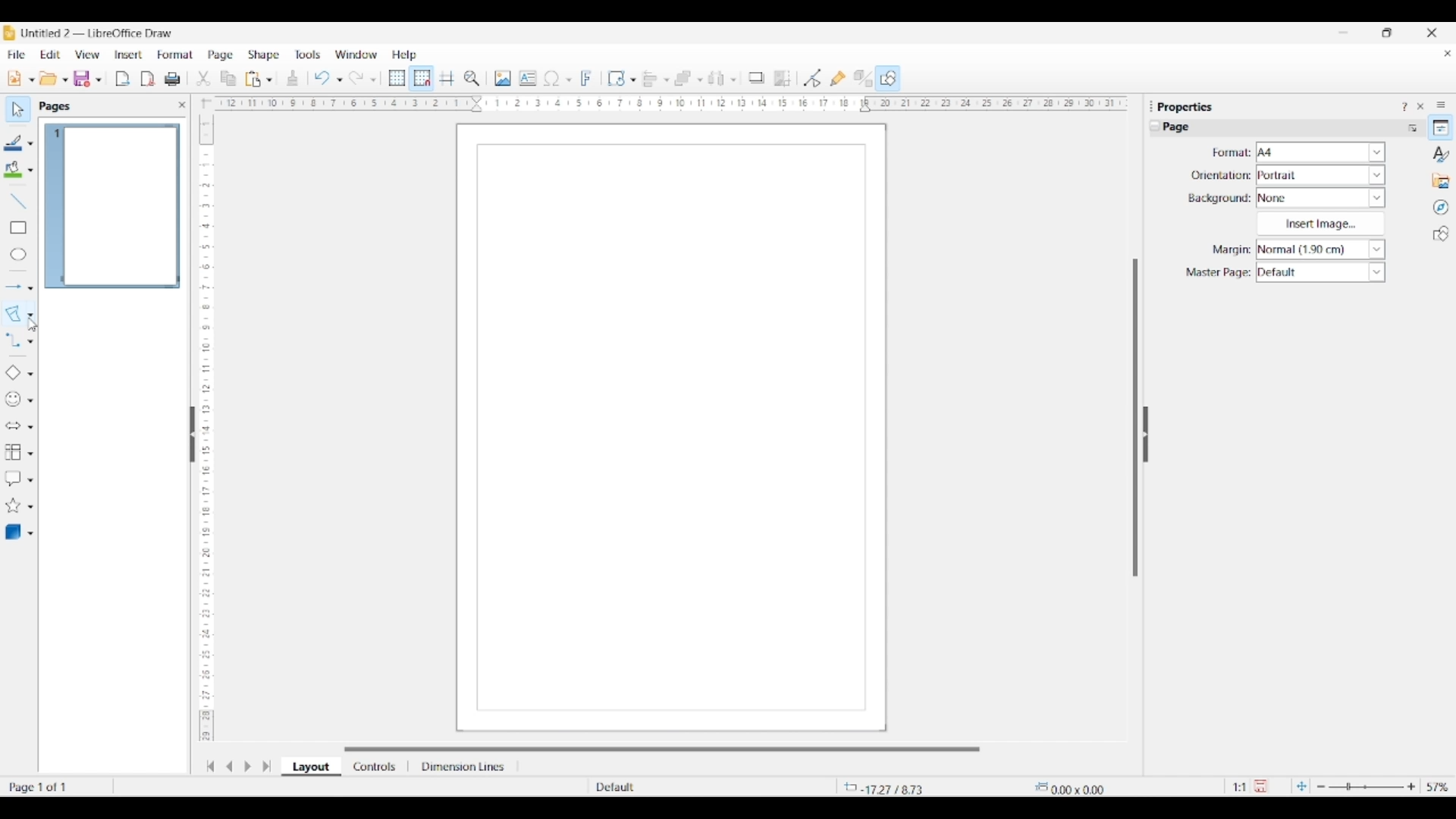 This screenshot has height=819, width=1456. I want to click on Hide left sidebar, so click(193, 435).